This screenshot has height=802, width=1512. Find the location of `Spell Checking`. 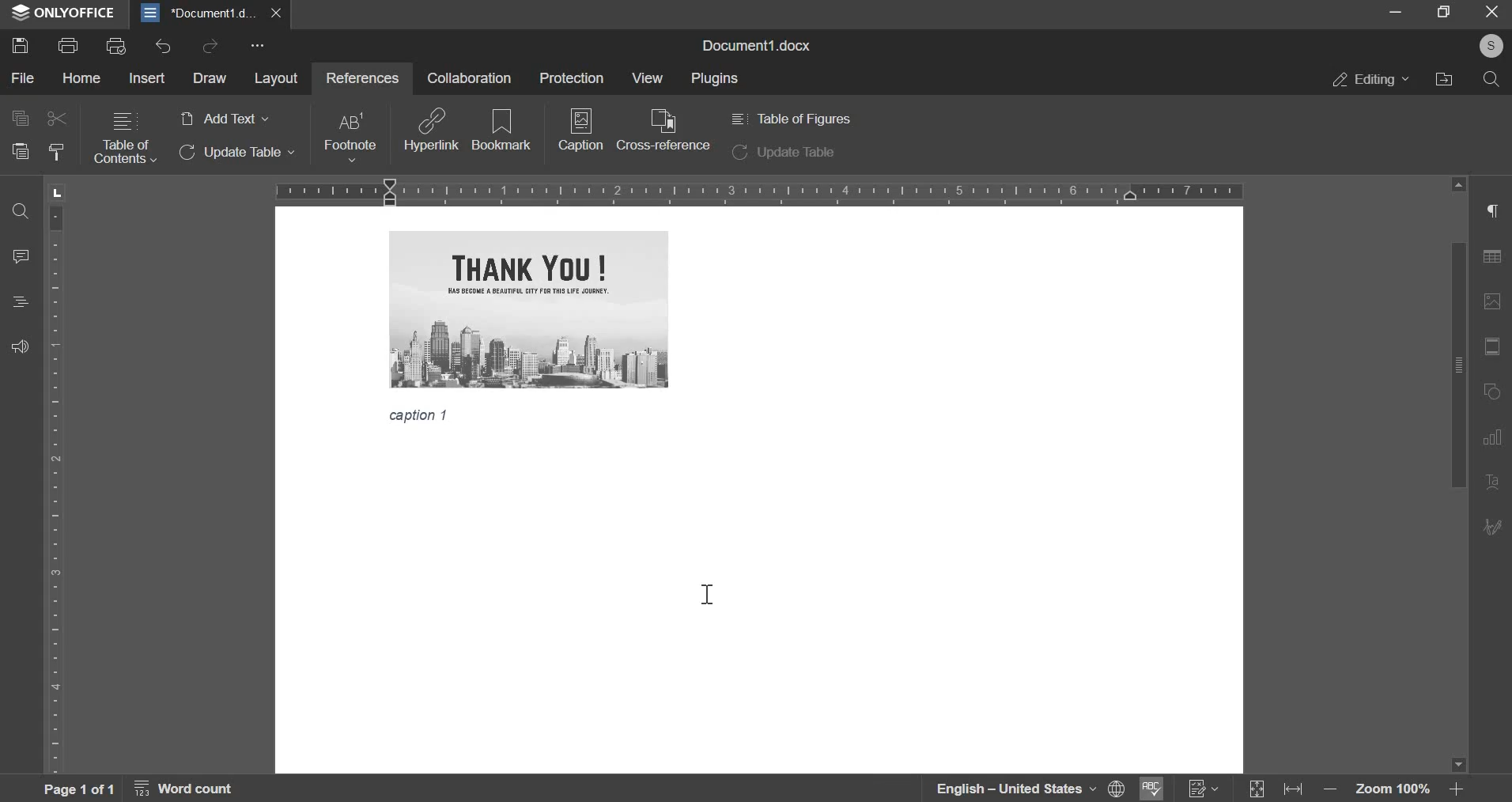

Spell Checking is located at coordinates (1149, 789).